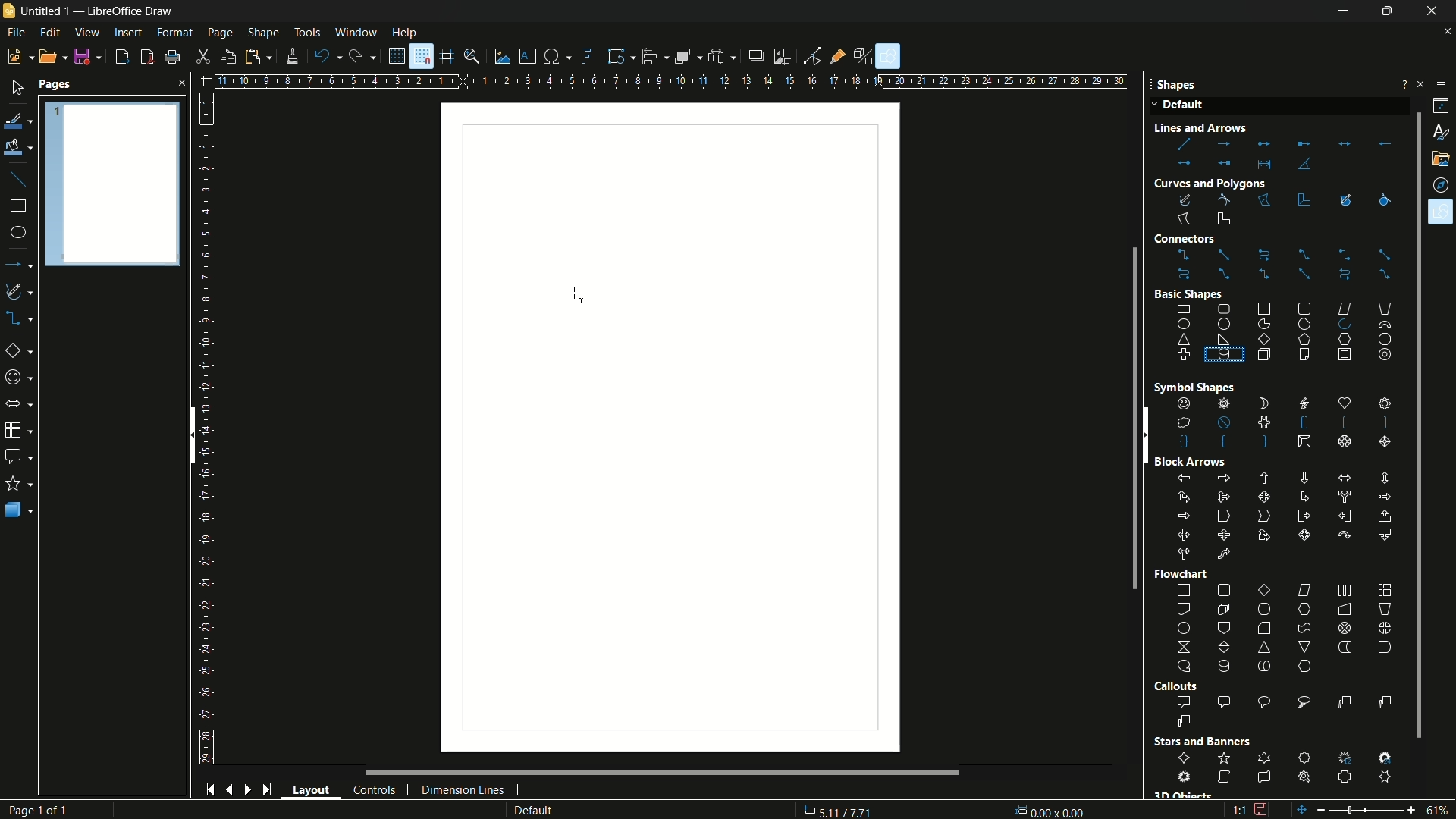 This screenshot has height=819, width=1456. Describe the element at coordinates (1224, 127) in the screenshot. I see `Line and Arrow` at that location.